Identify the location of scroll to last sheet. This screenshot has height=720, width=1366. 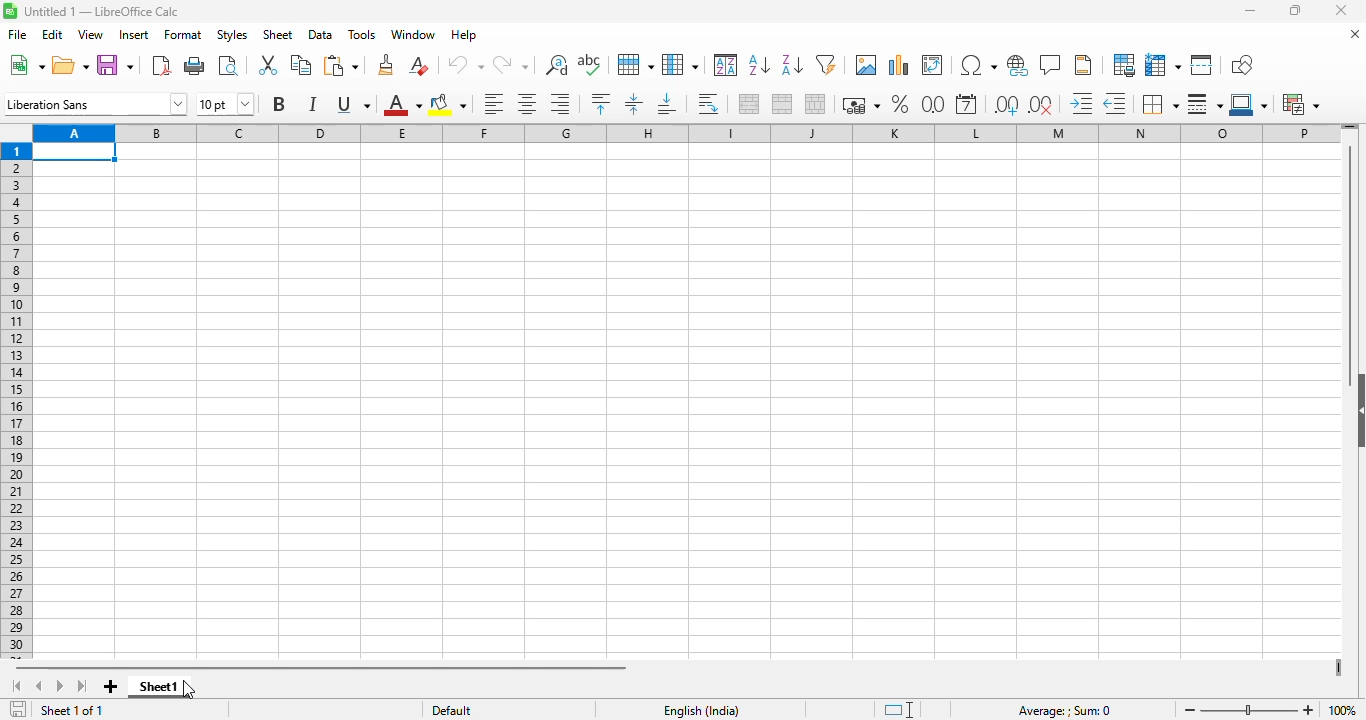
(82, 687).